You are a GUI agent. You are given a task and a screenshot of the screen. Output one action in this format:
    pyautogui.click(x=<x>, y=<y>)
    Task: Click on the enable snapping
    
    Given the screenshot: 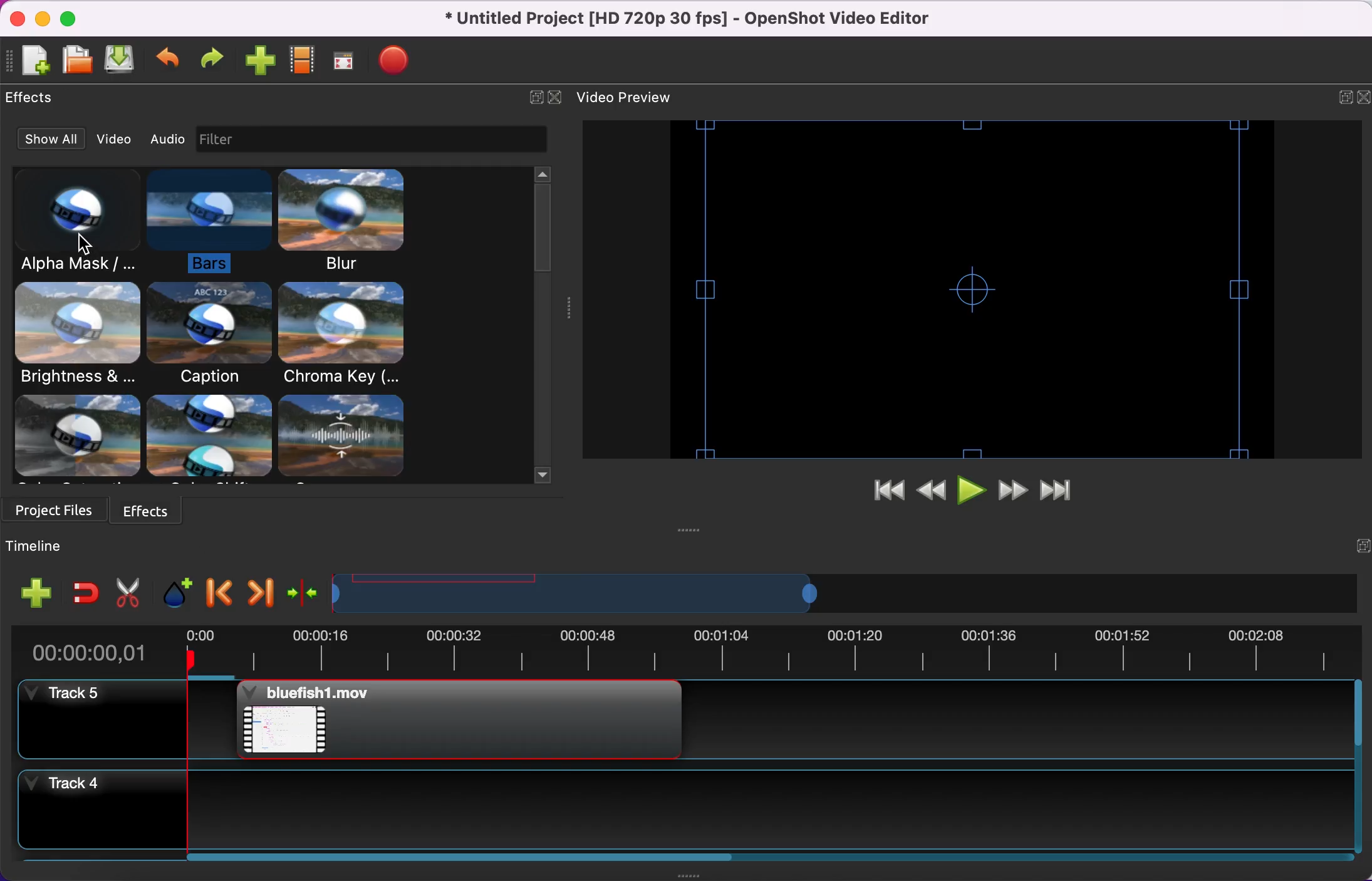 What is the action you would take?
    pyautogui.click(x=83, y=594)
    